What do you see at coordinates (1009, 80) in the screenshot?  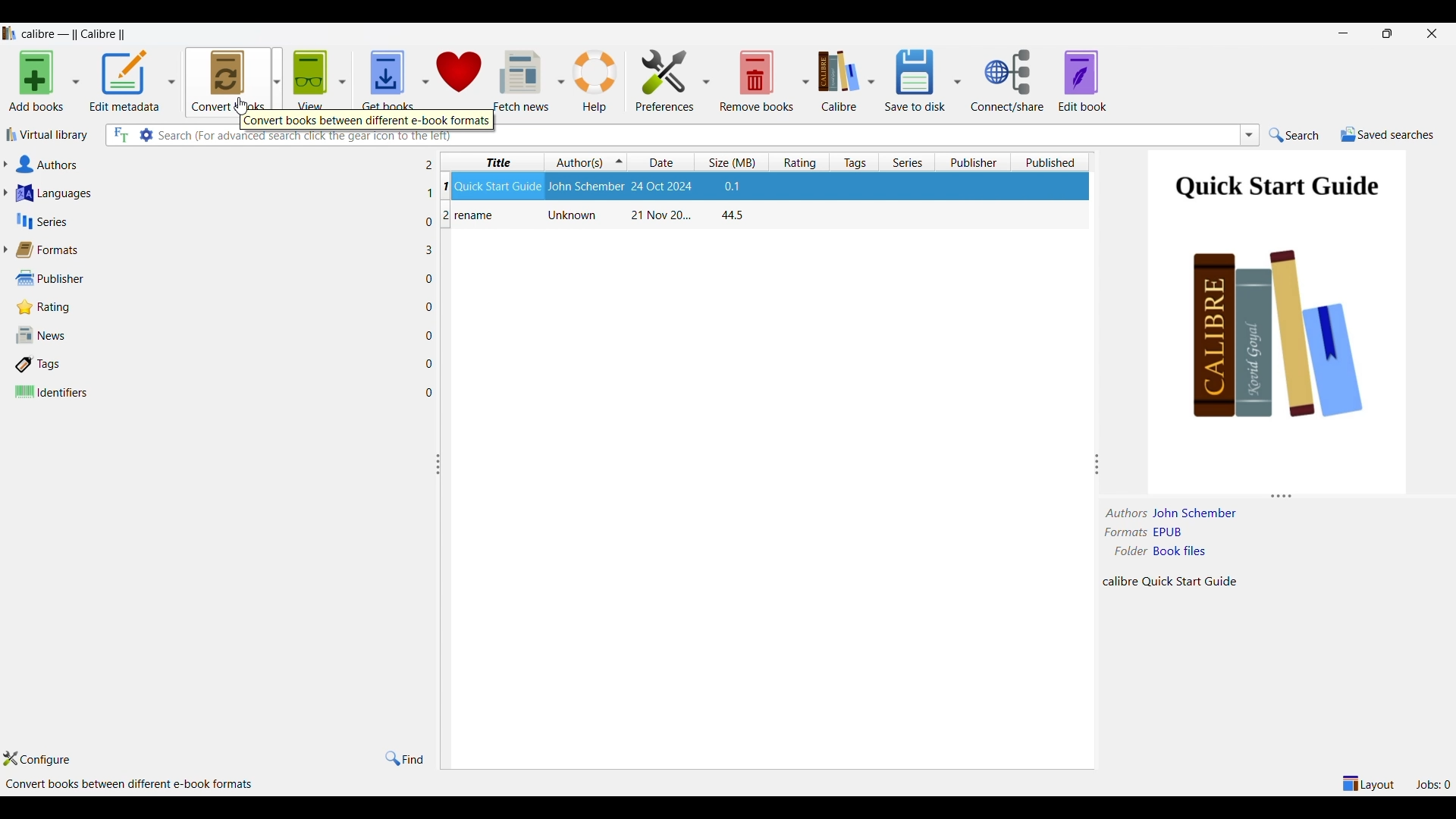 I see `Connect share` at bounding box center [1009, 80].